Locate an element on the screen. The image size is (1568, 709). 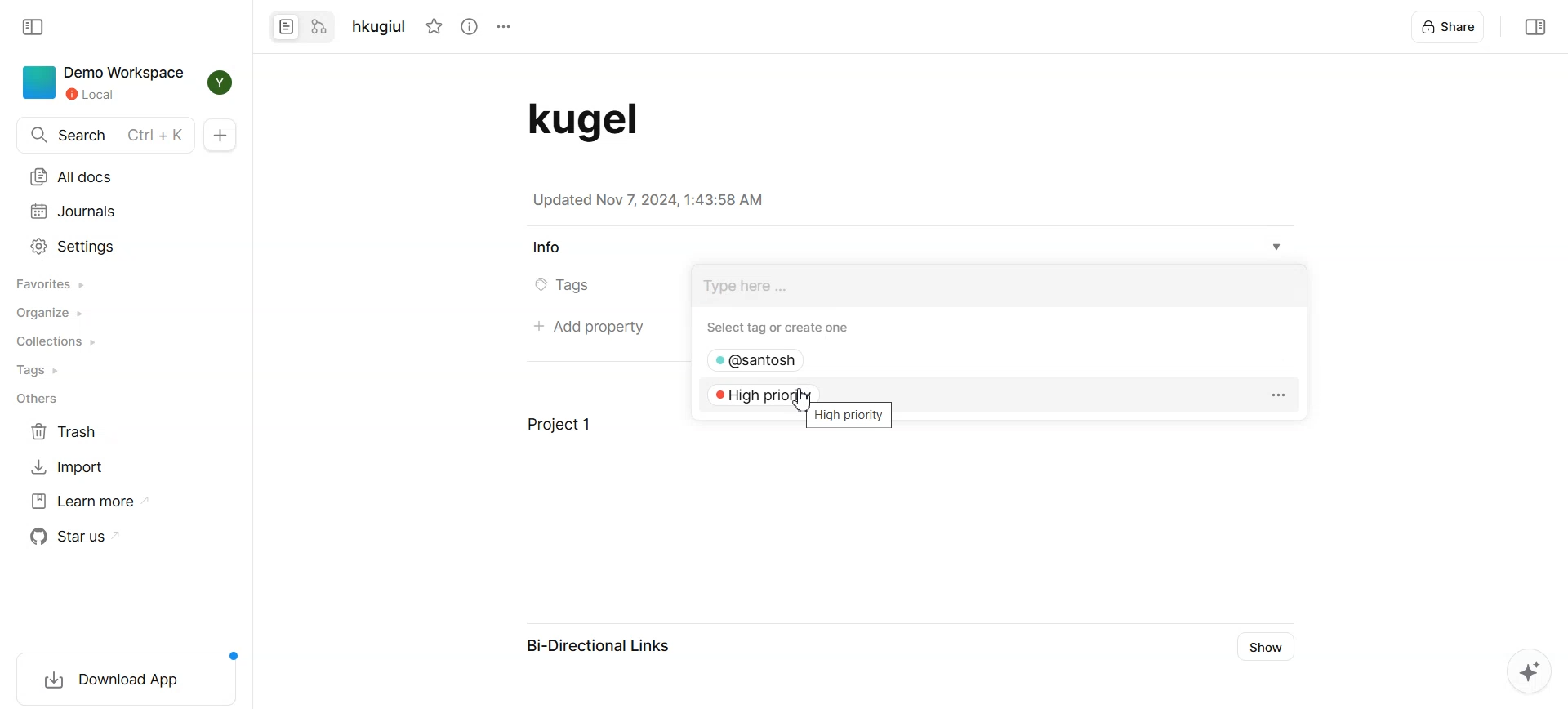
Demo Workspace Local is located at coordinates (125, 82).